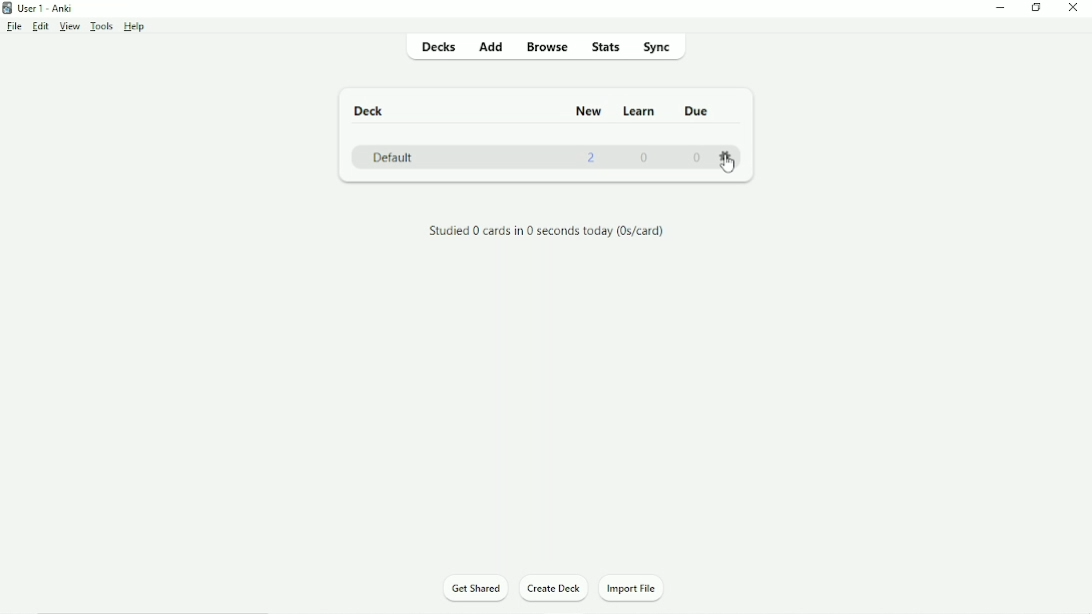  Describe the element at coordinates (641, 111) in the screenshot. I see `Learn` at that location.